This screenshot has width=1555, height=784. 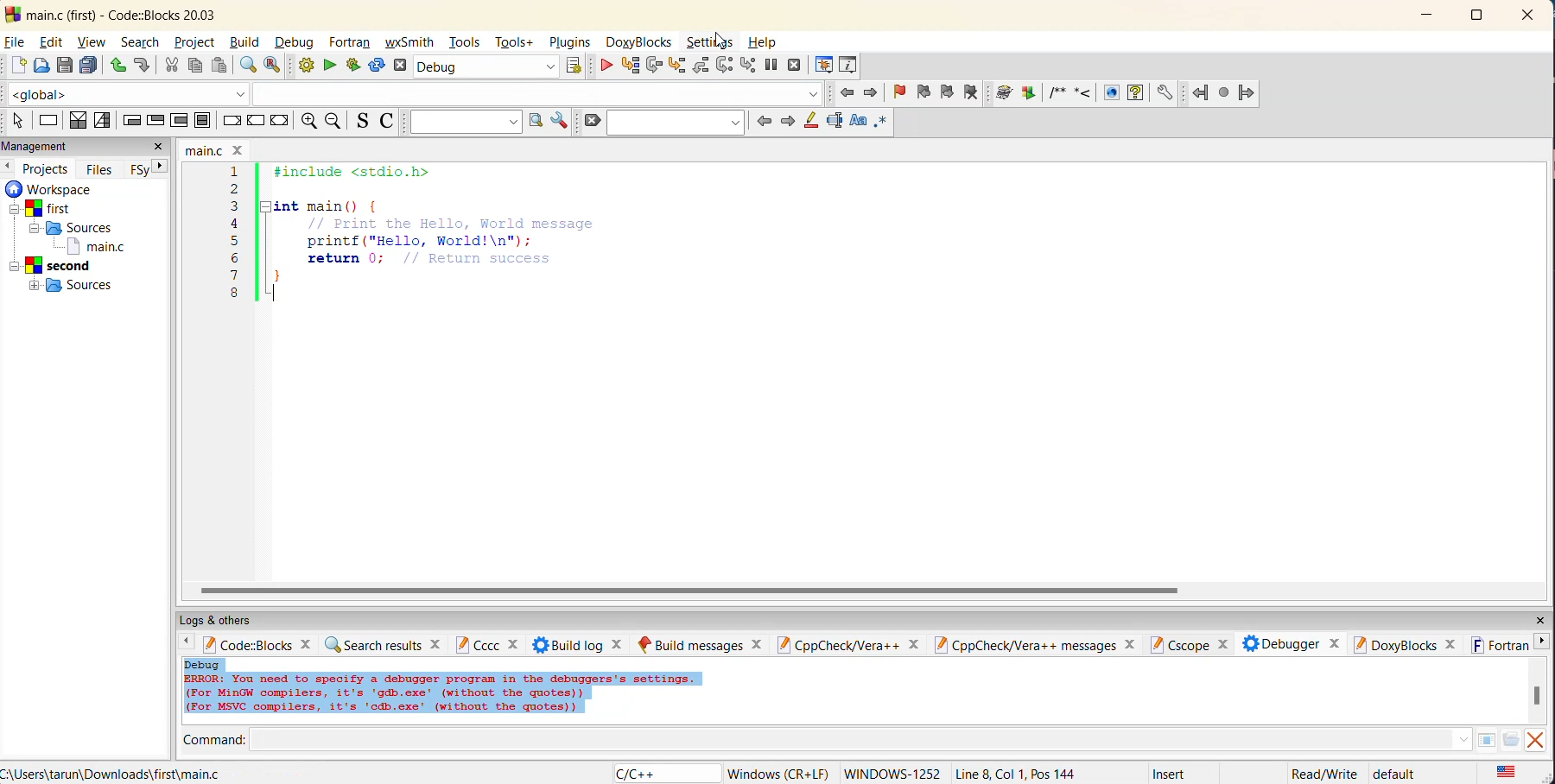 I want to click on Cursor, so click(x=726, y=41).